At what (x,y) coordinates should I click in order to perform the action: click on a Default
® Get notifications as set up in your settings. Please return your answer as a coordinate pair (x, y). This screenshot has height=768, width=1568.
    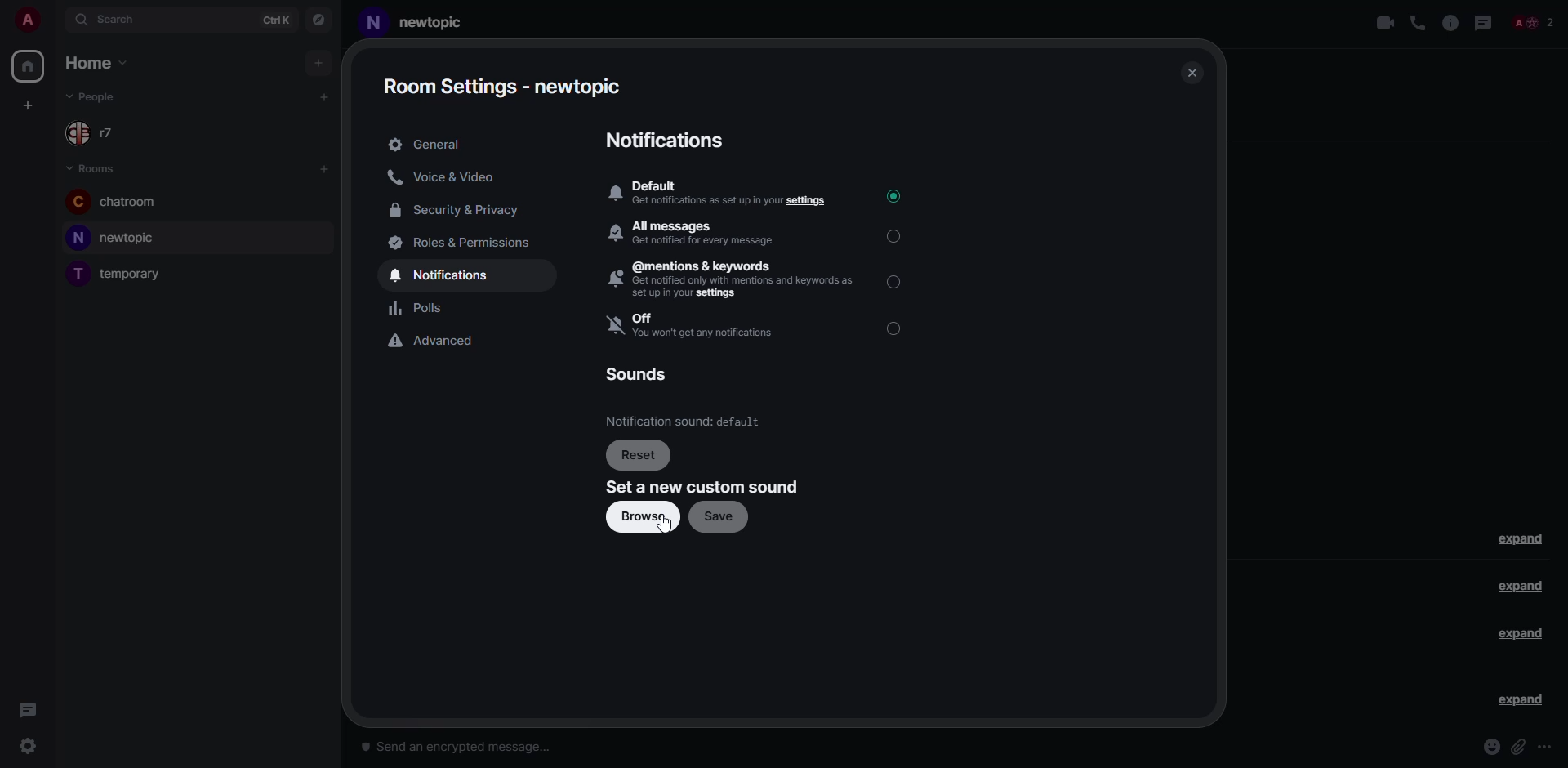
    Looking at the image, I should click on (715, 190).